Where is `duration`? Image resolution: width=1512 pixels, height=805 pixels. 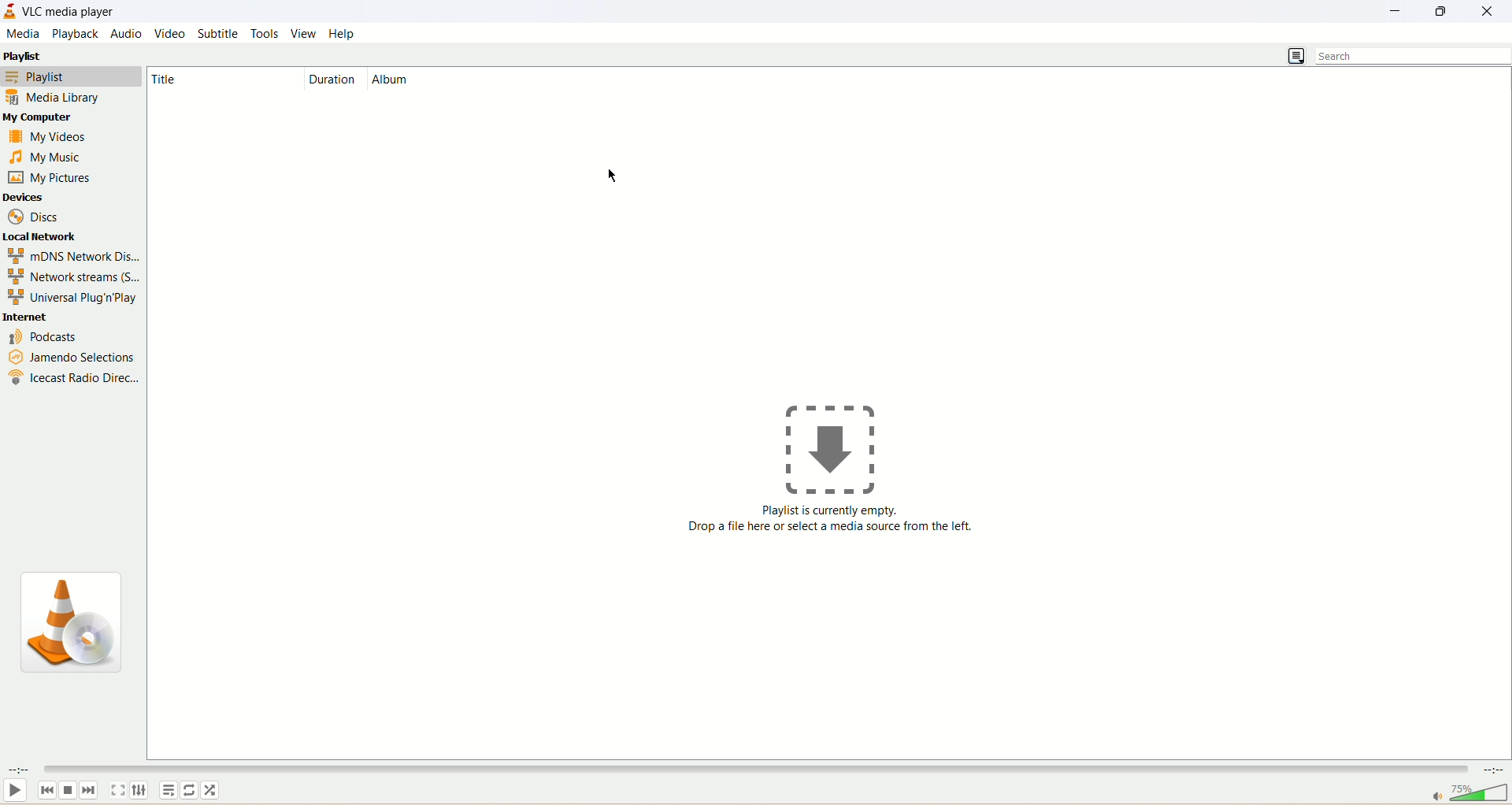
duration is located at coordinates (332, 80).